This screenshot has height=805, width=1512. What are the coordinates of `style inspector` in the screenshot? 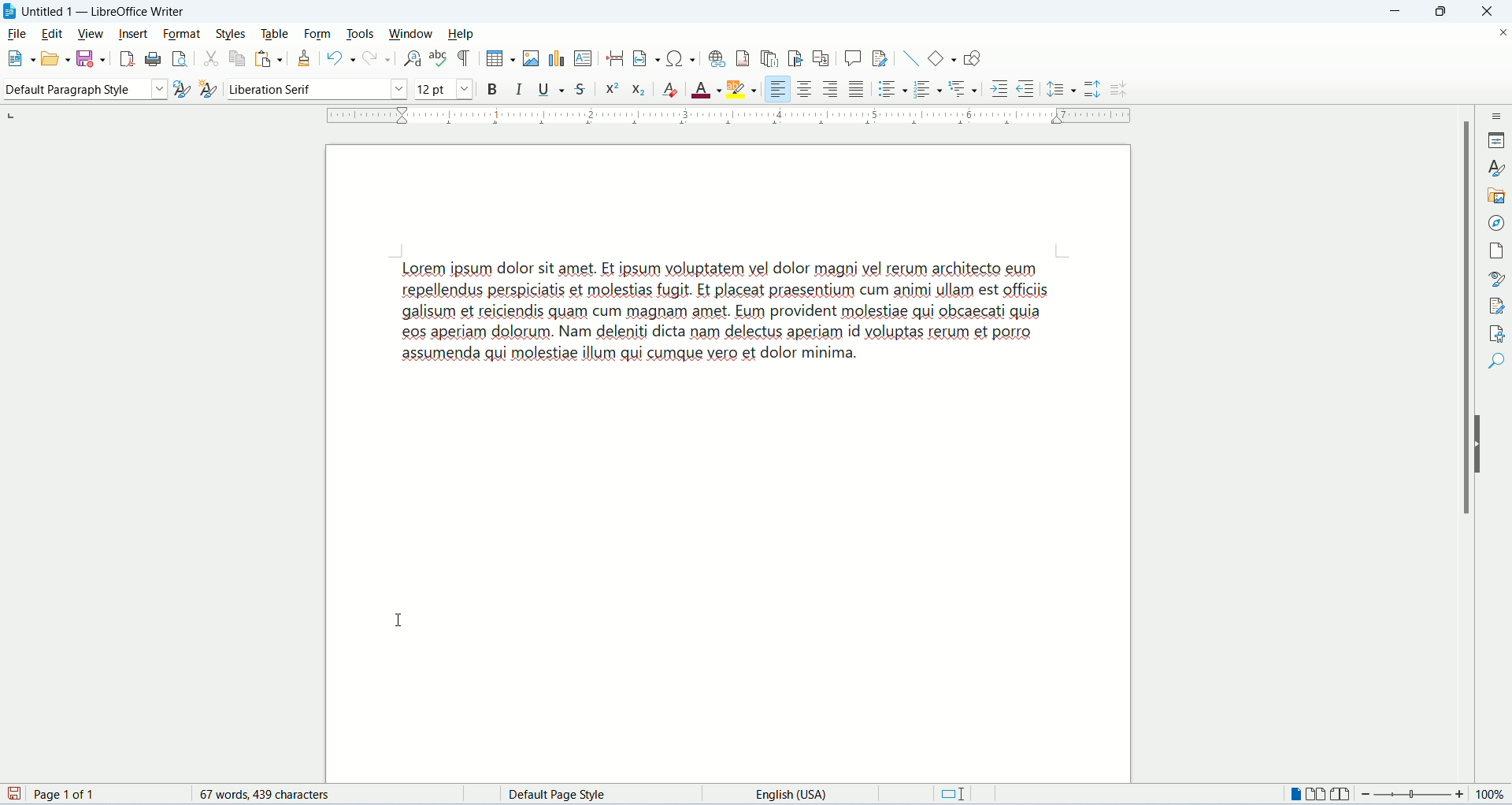 It's located at (1499, 279).